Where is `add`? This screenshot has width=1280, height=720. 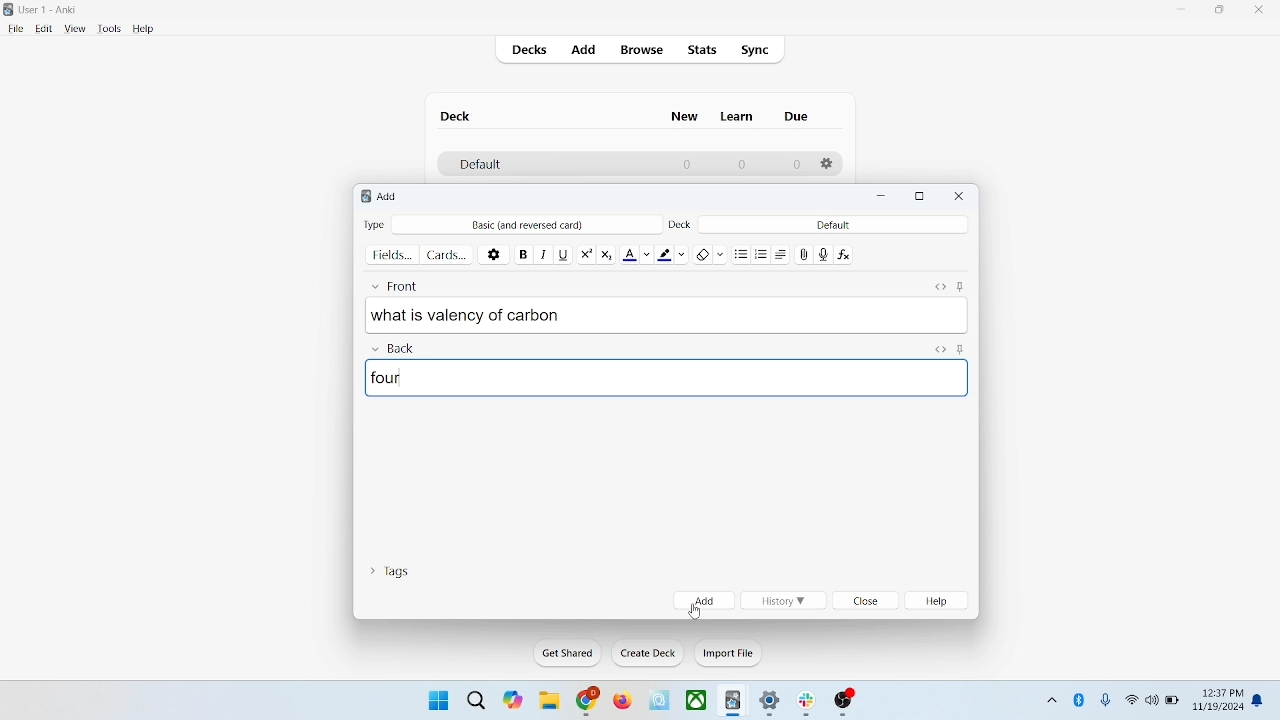 add is located at coordinates (389, 196).